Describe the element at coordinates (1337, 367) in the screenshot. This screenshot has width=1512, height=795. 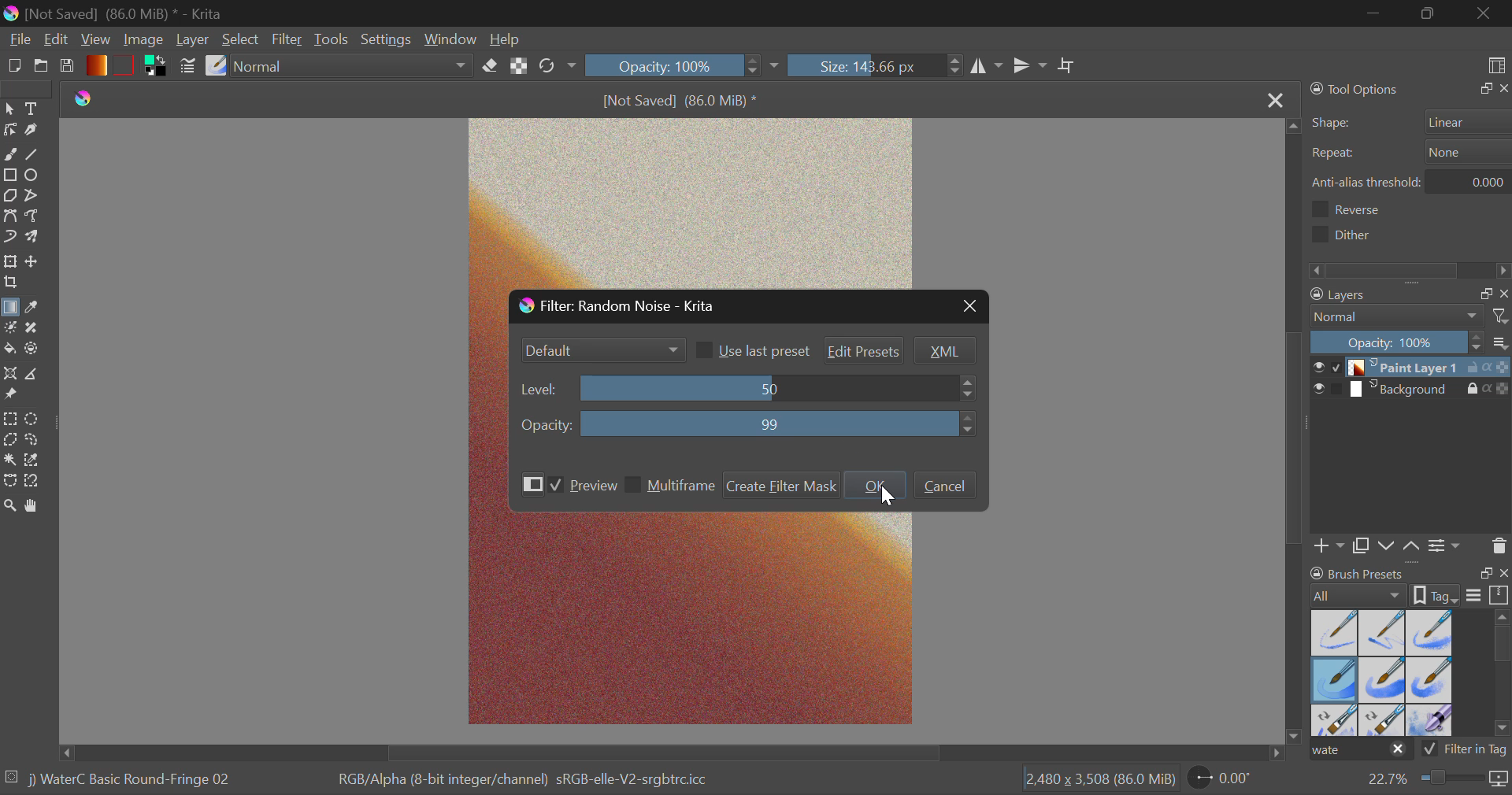
I see `disable paint layer` at that location.